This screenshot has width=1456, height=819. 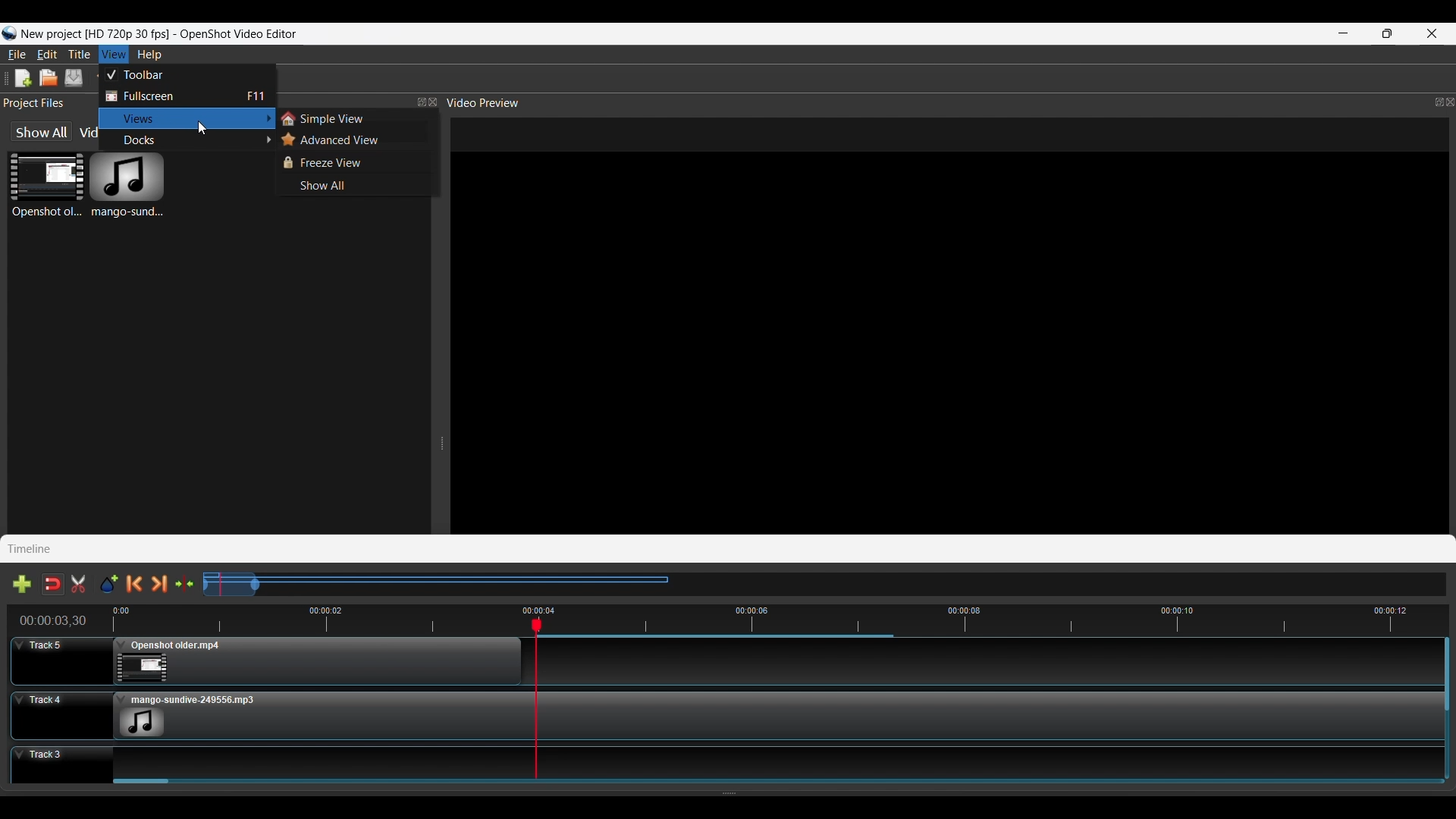 I want to click on Fullscreen, so click(x=186, y=96).